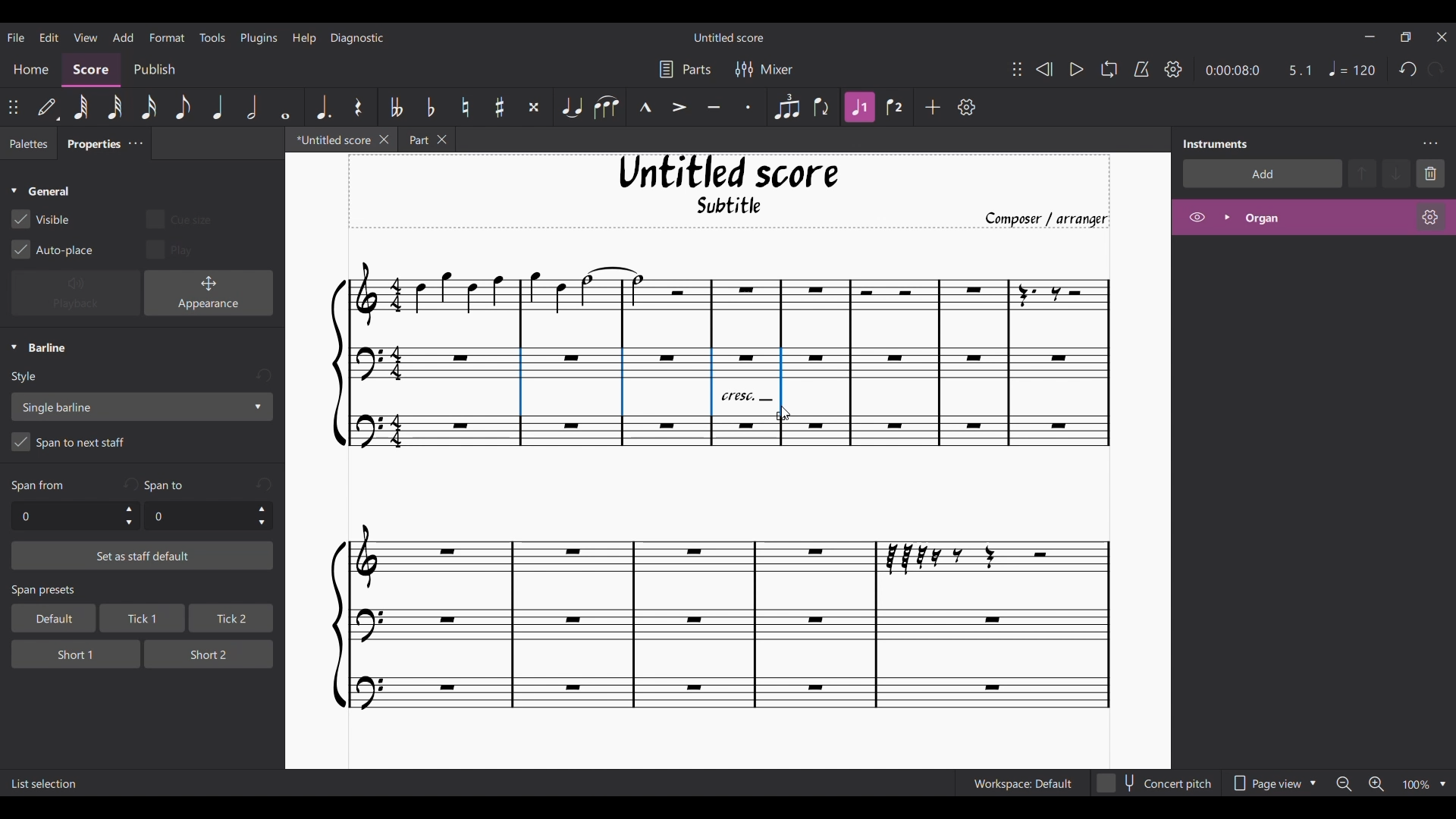  I want to click on Edit menu, so click(49, 36).